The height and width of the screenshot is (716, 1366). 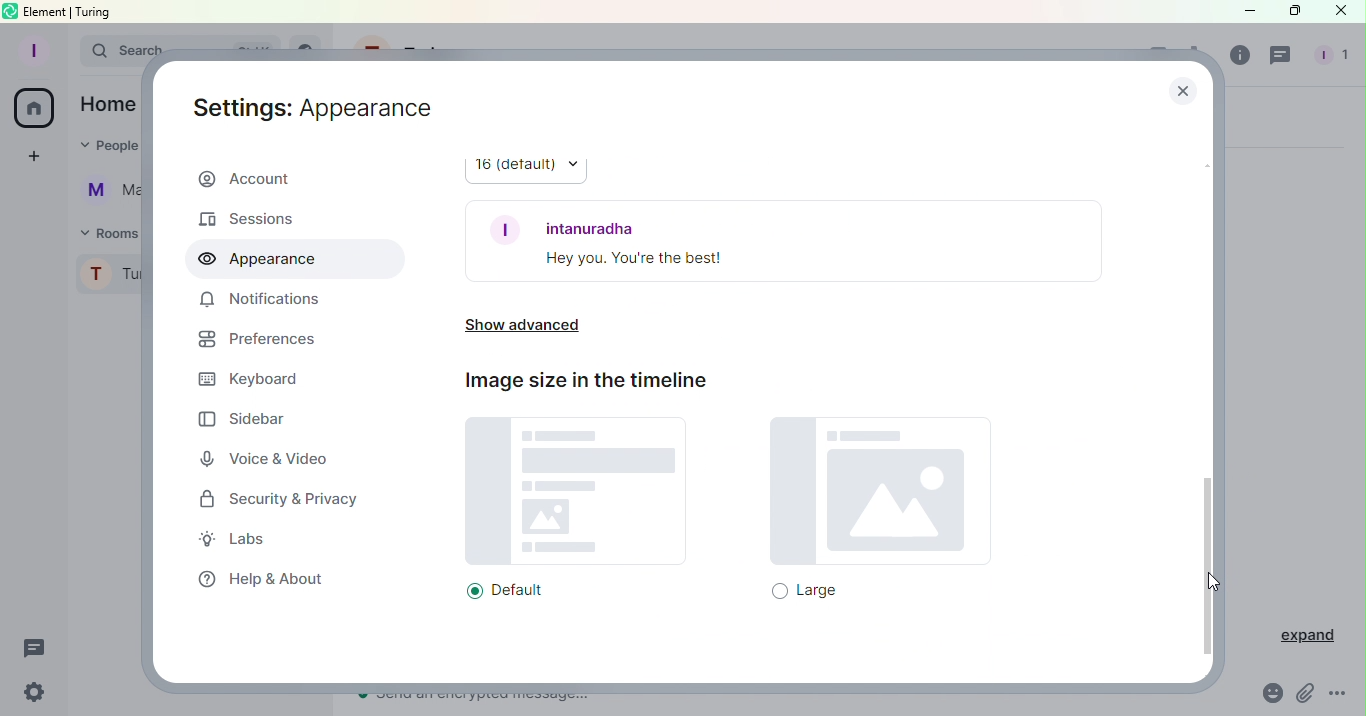 I want to click on Close, so click(x=1176, y=89).